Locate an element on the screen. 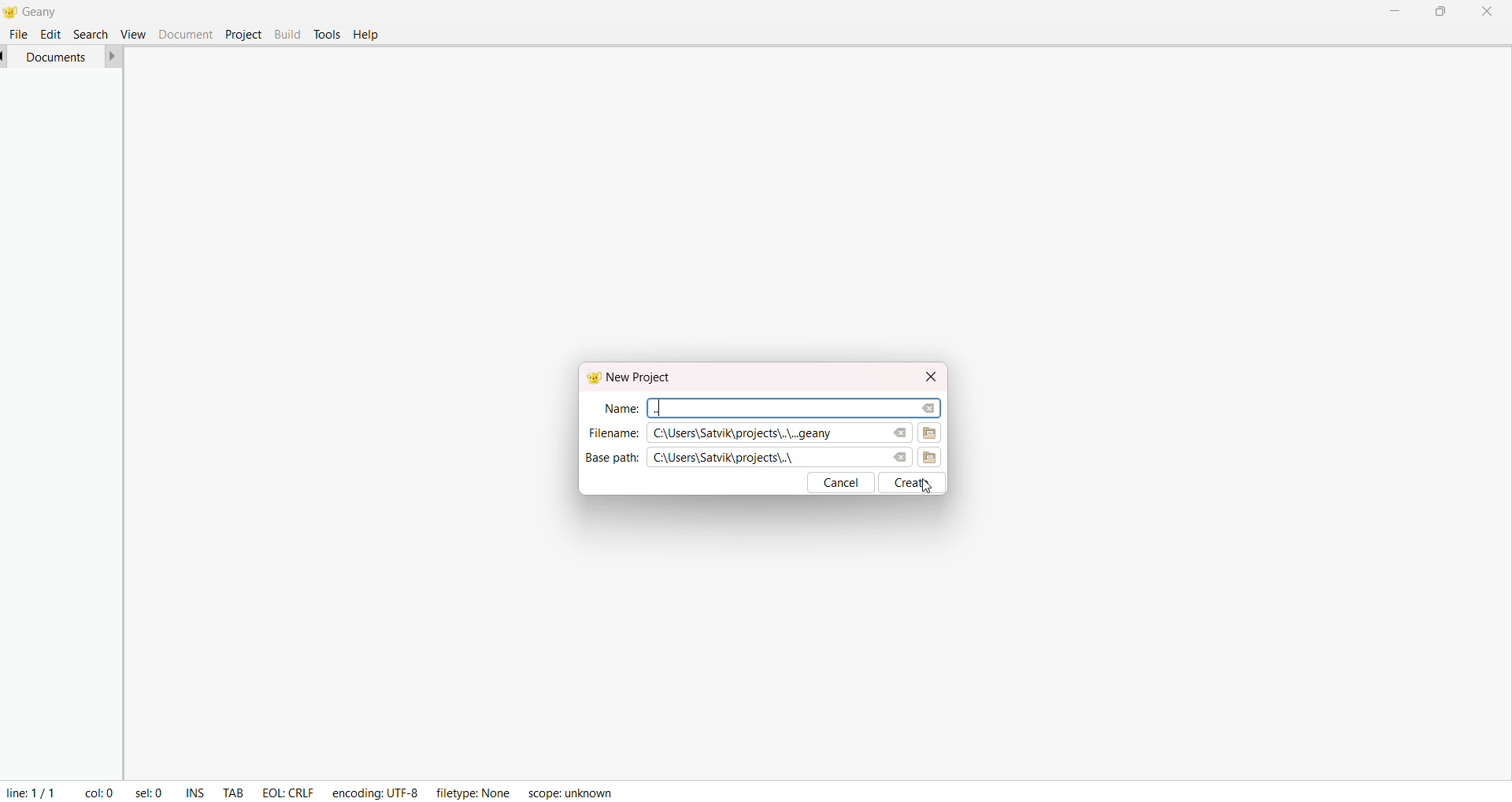 This screenshot has width=1512, height=802. documents is located at coordinates (57, 56).